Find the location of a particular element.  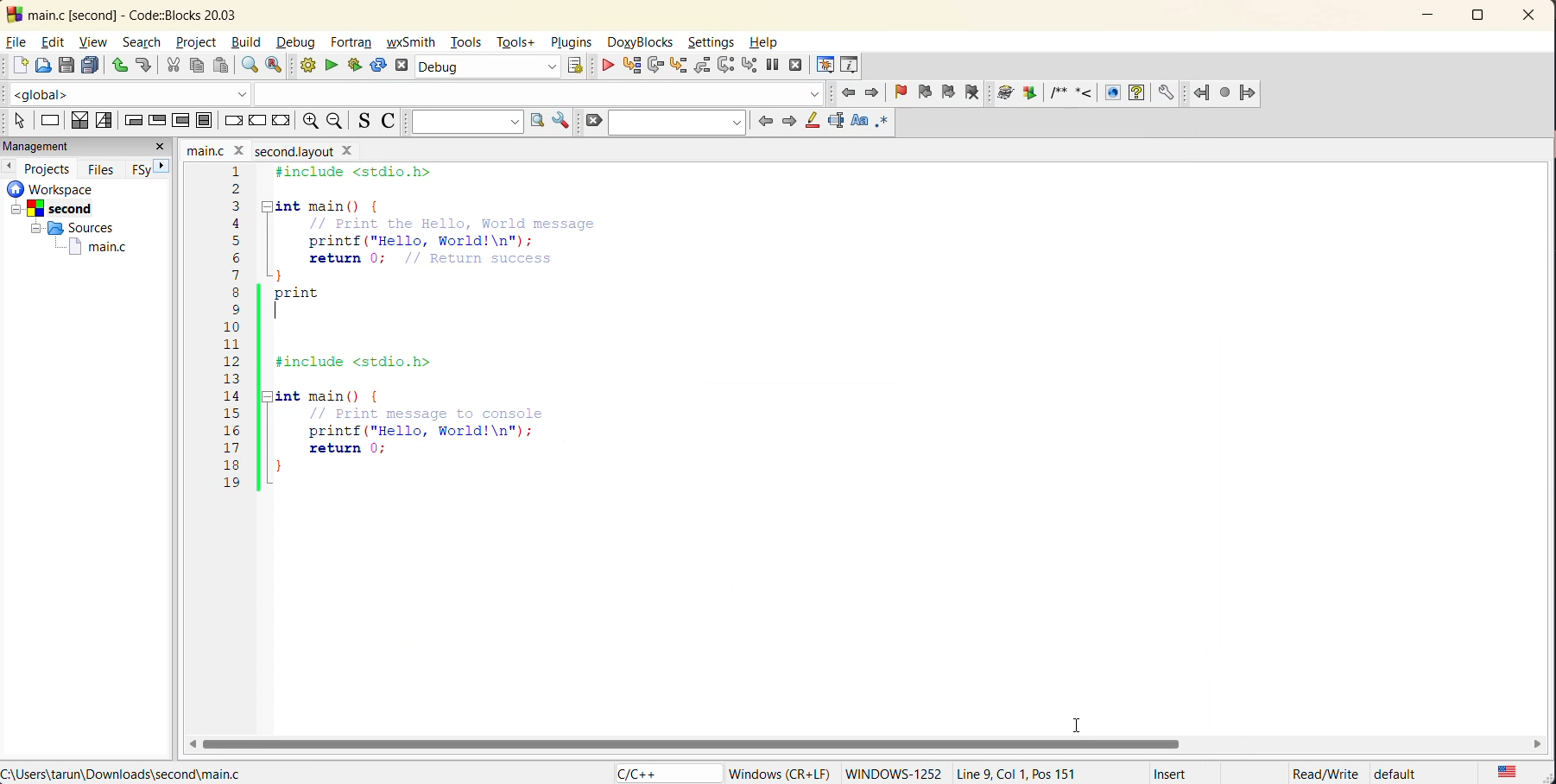

next instruction is located at coordinates (728, 66).